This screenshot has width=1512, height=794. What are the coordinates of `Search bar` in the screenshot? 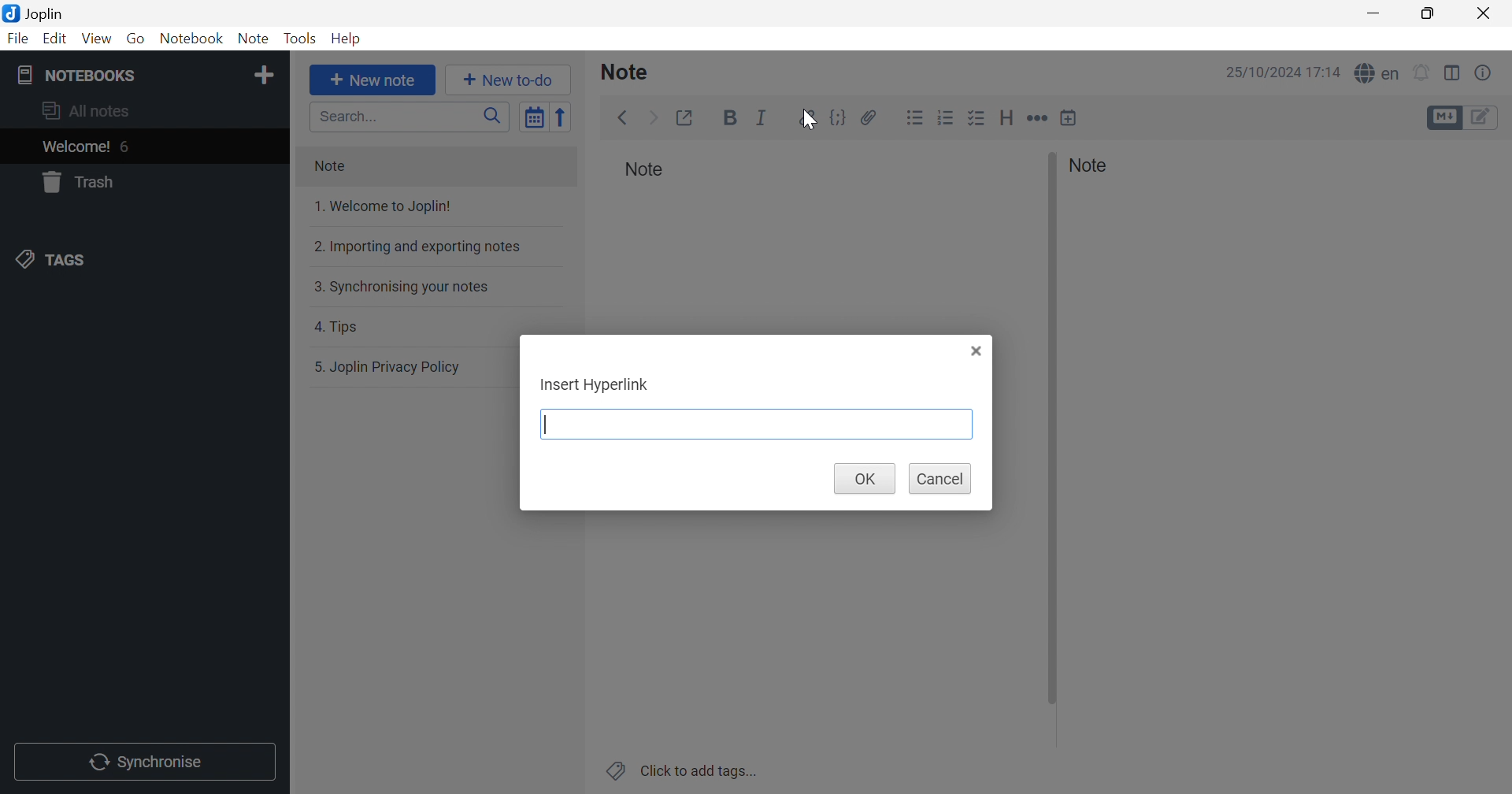 It's located at (411, 116).